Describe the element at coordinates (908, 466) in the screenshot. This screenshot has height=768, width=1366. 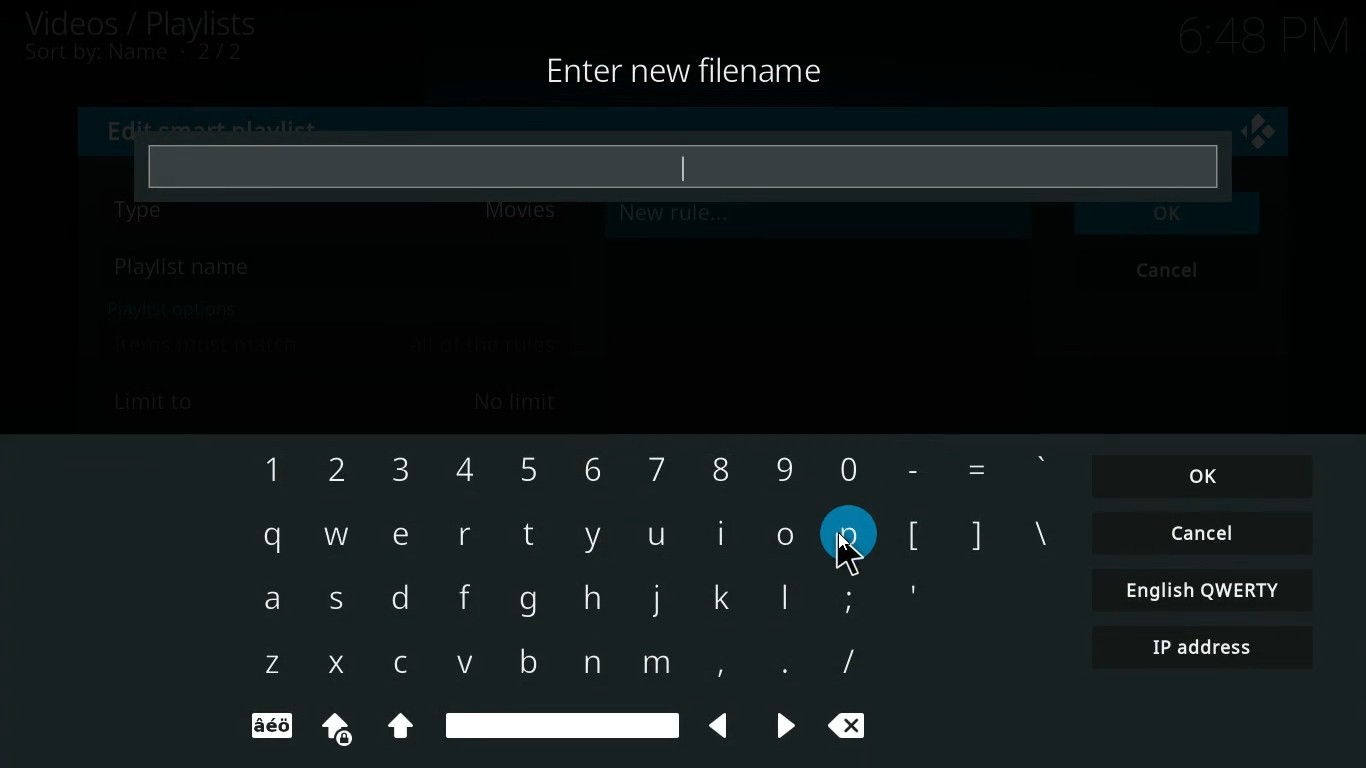
I see `-` at that location.